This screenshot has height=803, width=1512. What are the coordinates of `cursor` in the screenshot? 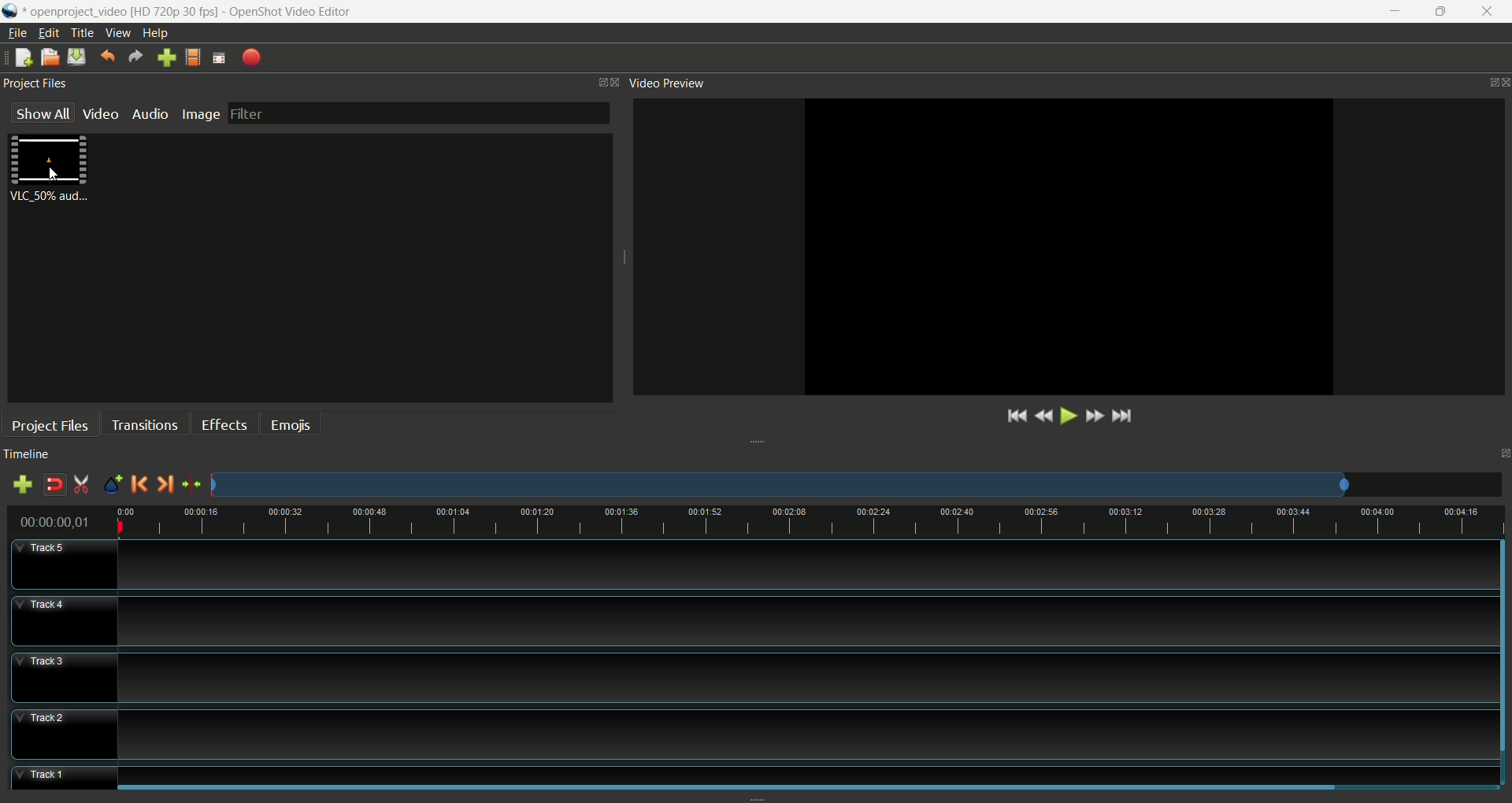 It's located at (54, 174).